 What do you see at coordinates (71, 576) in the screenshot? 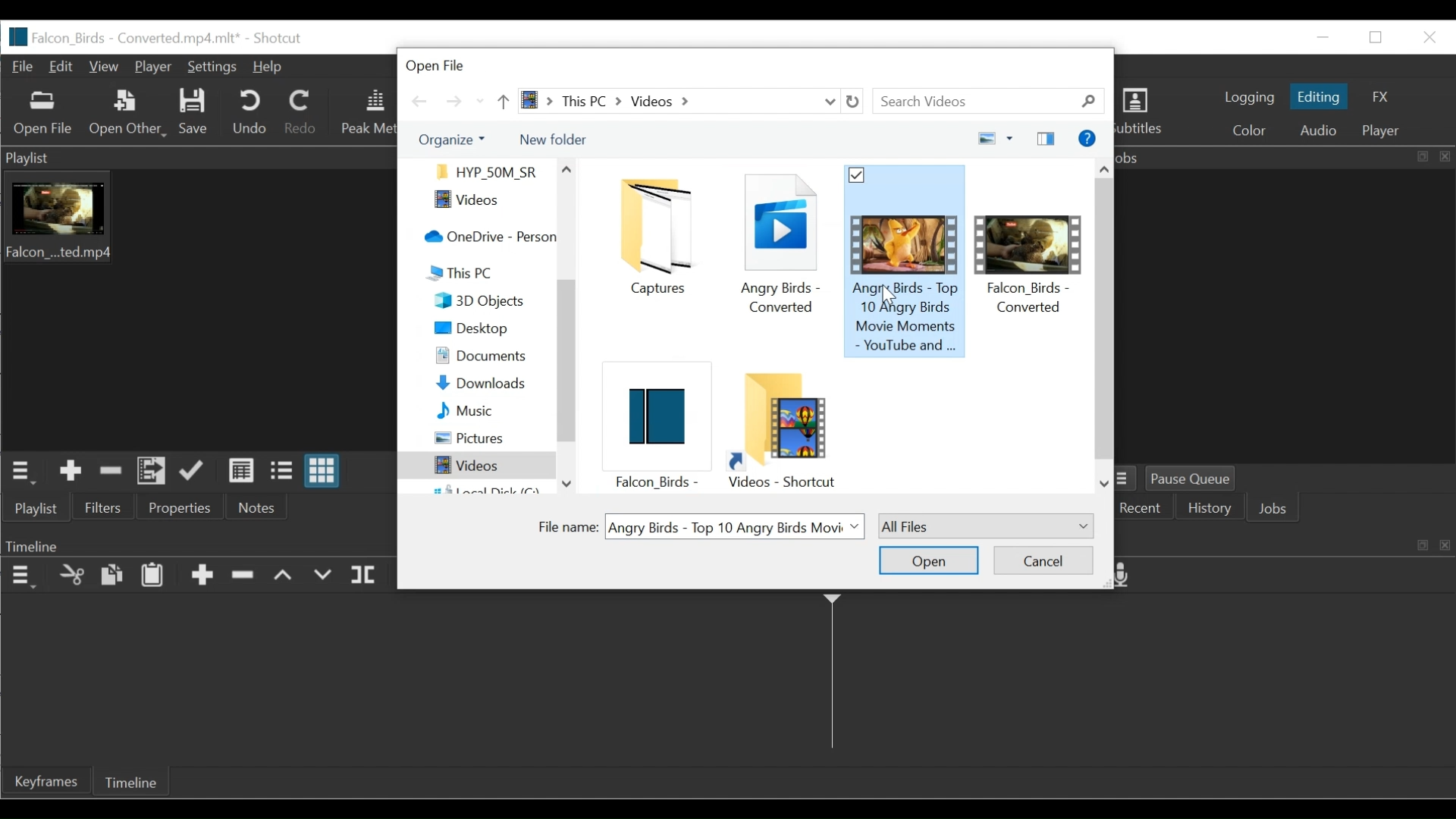
I see `Cut` at bounding box center [71, 576].